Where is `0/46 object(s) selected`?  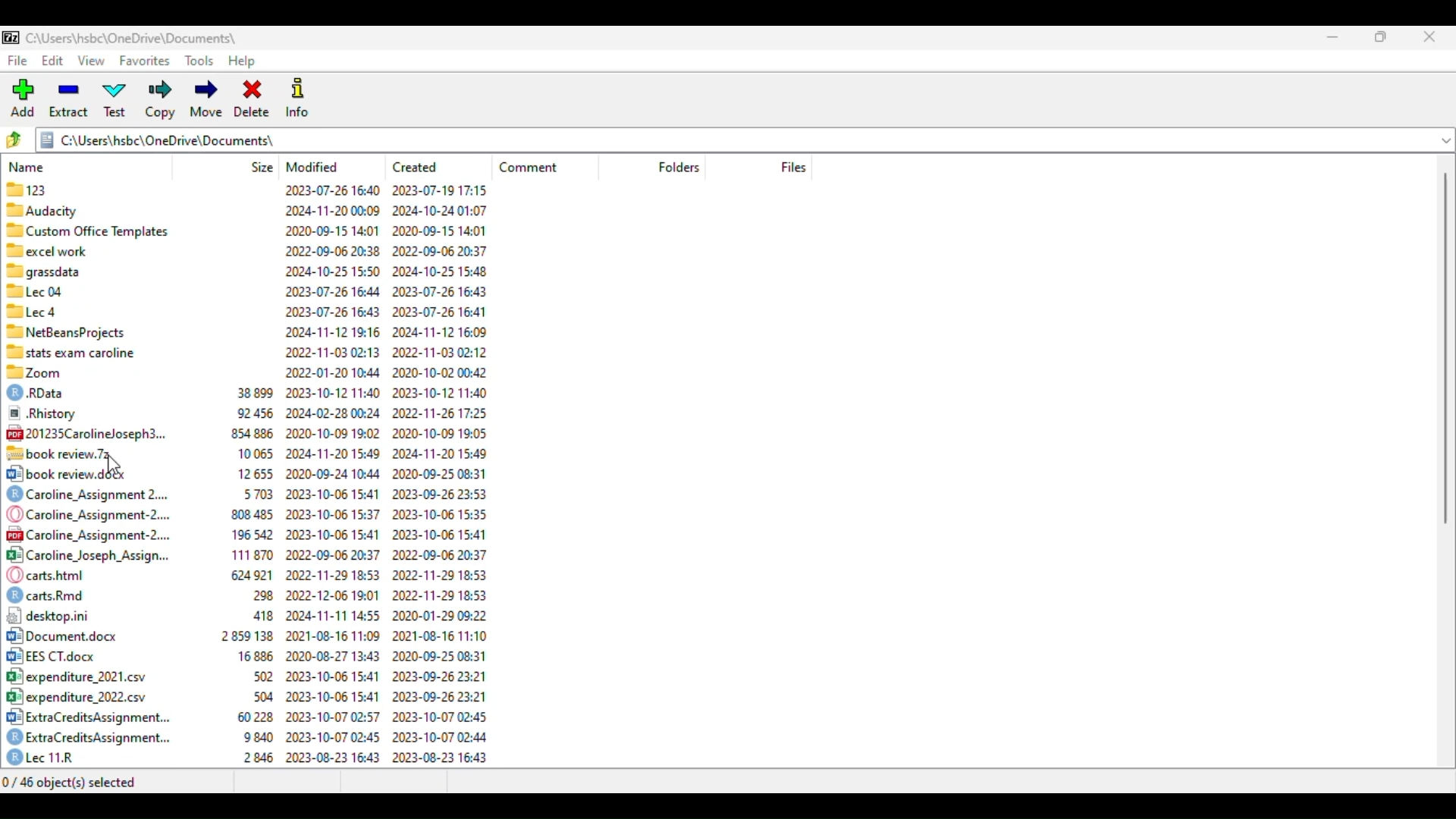
0/46 object(s) selected is located at coordinates (70, 782).